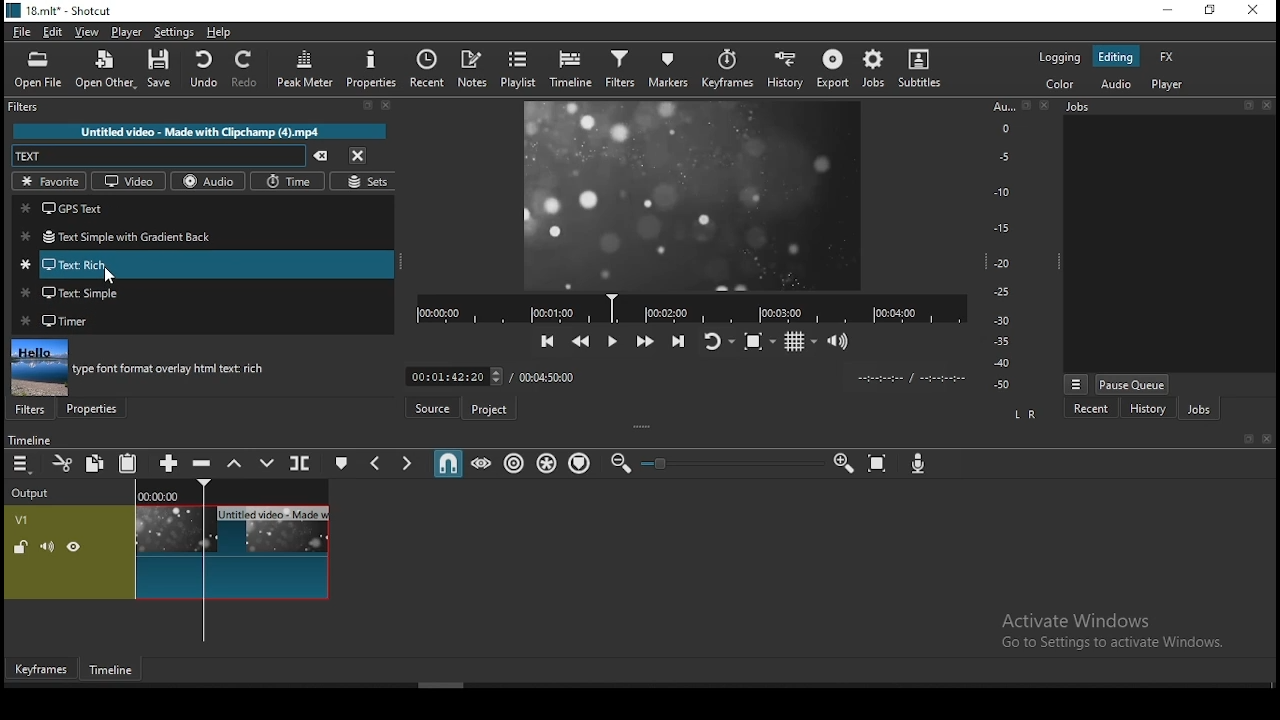 The height and width of the screenshot is (720, 1280). I want to click on snap, so click(447, 461).